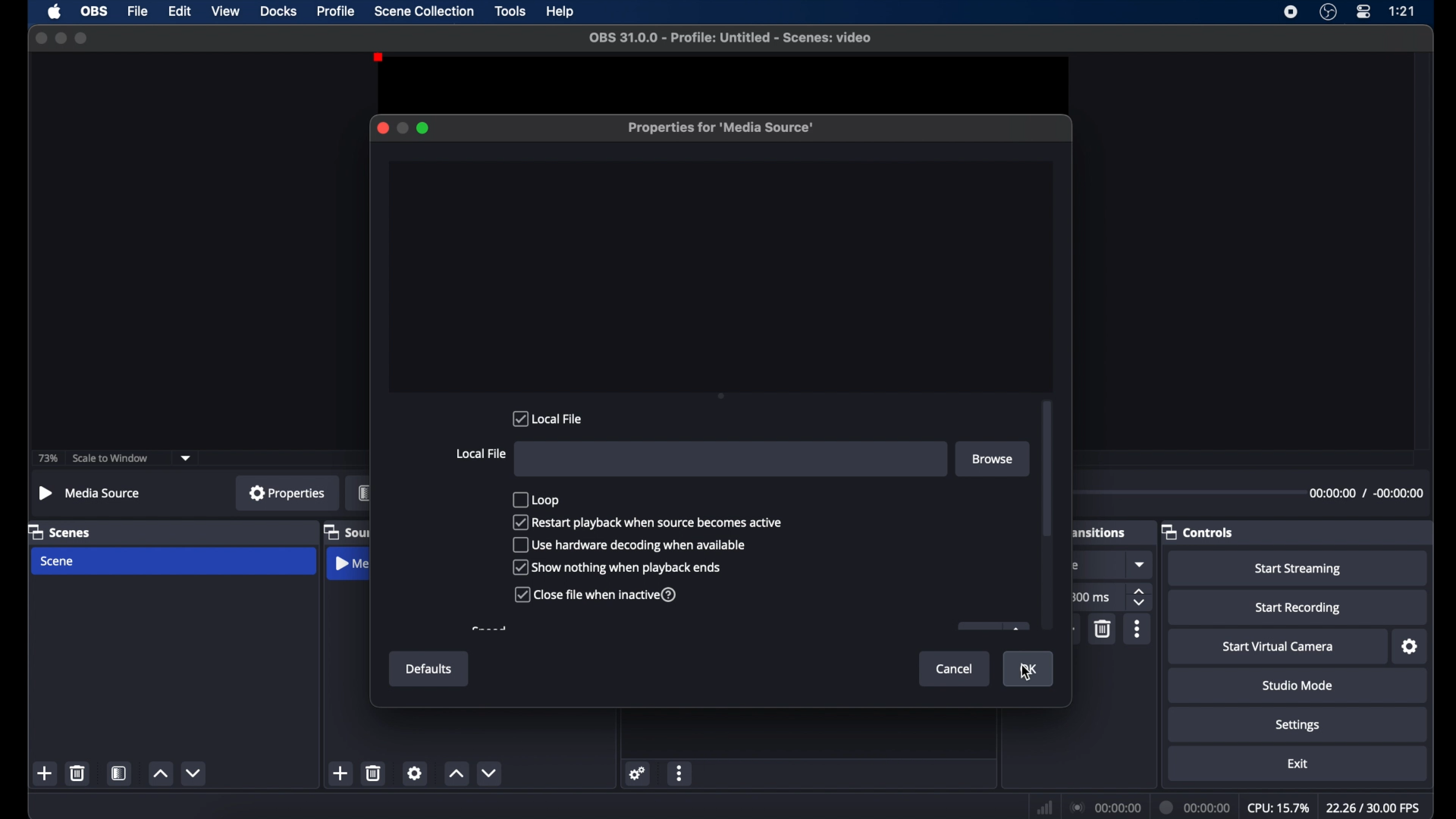 This screenshot has width=1456, height=819. I want to click on controls, so click(1200, 532).